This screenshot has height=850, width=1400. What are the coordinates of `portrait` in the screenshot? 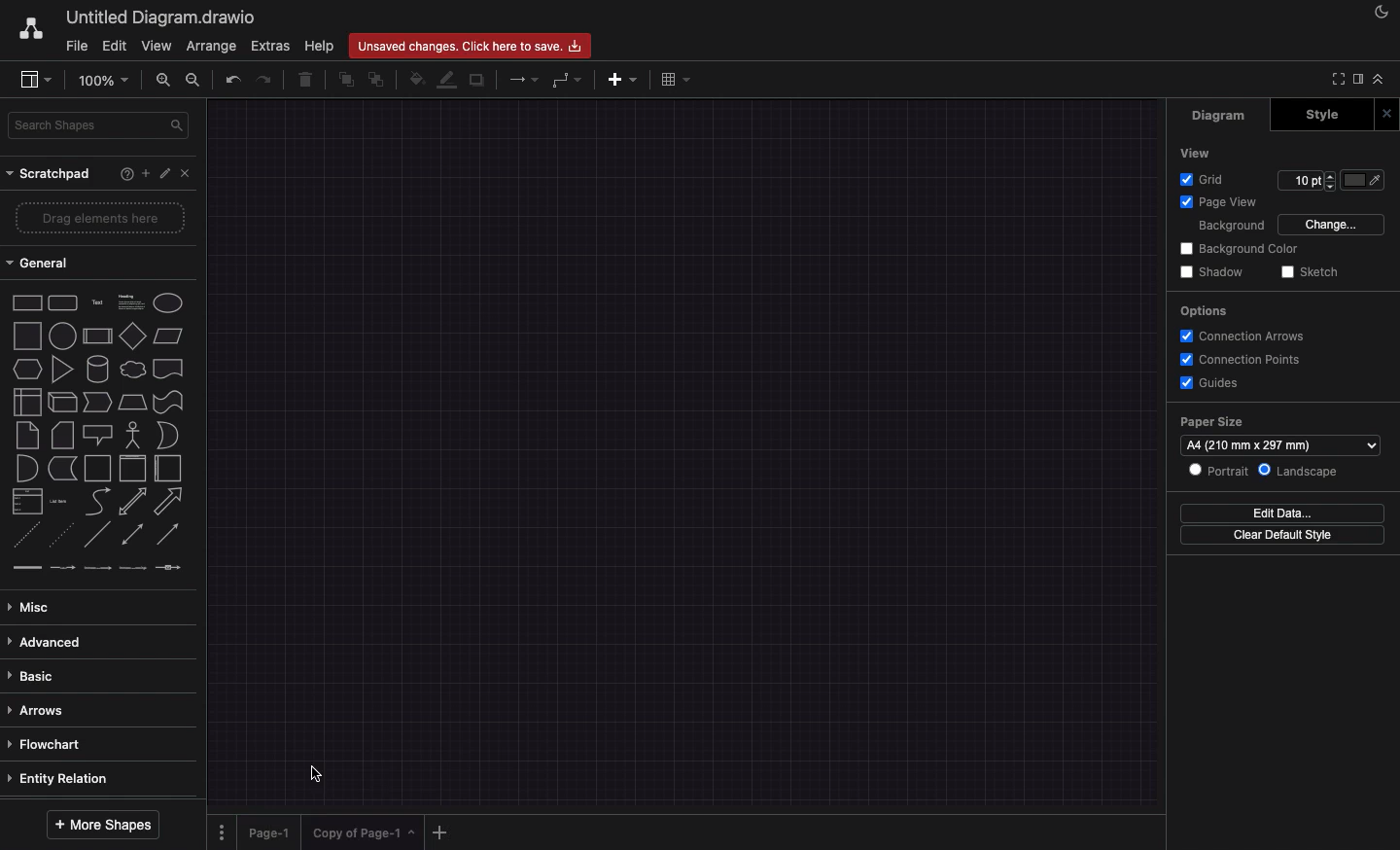 It's located at (1216, 473).